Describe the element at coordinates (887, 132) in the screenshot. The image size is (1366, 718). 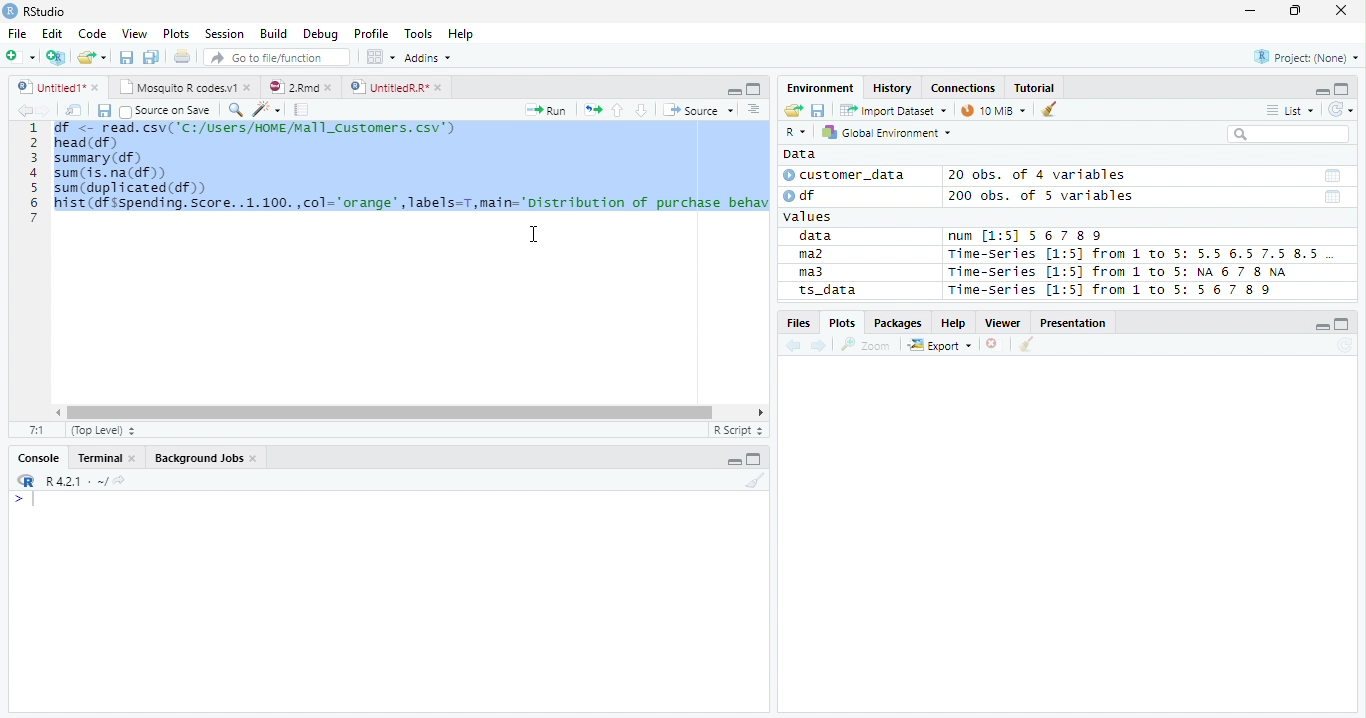
I see `Global Environment` at that location.